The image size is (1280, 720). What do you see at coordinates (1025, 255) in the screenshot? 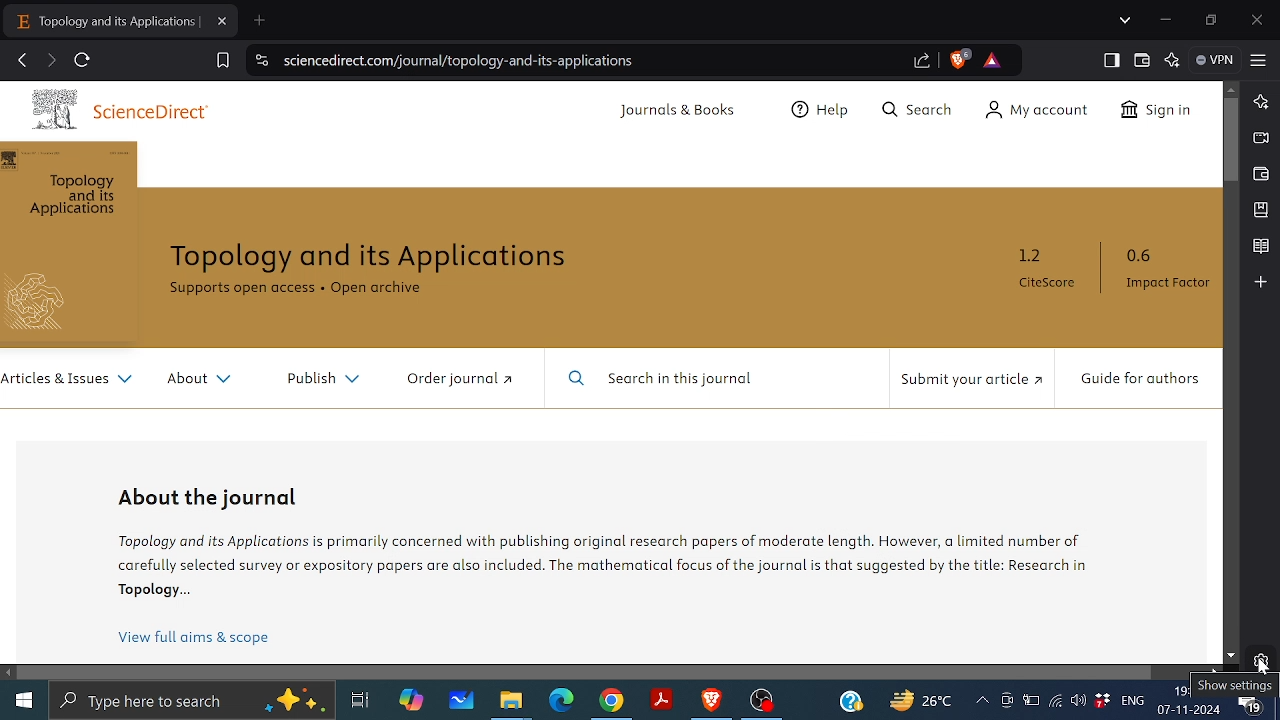
I see `1.2` at bounding box center [1025, 255].